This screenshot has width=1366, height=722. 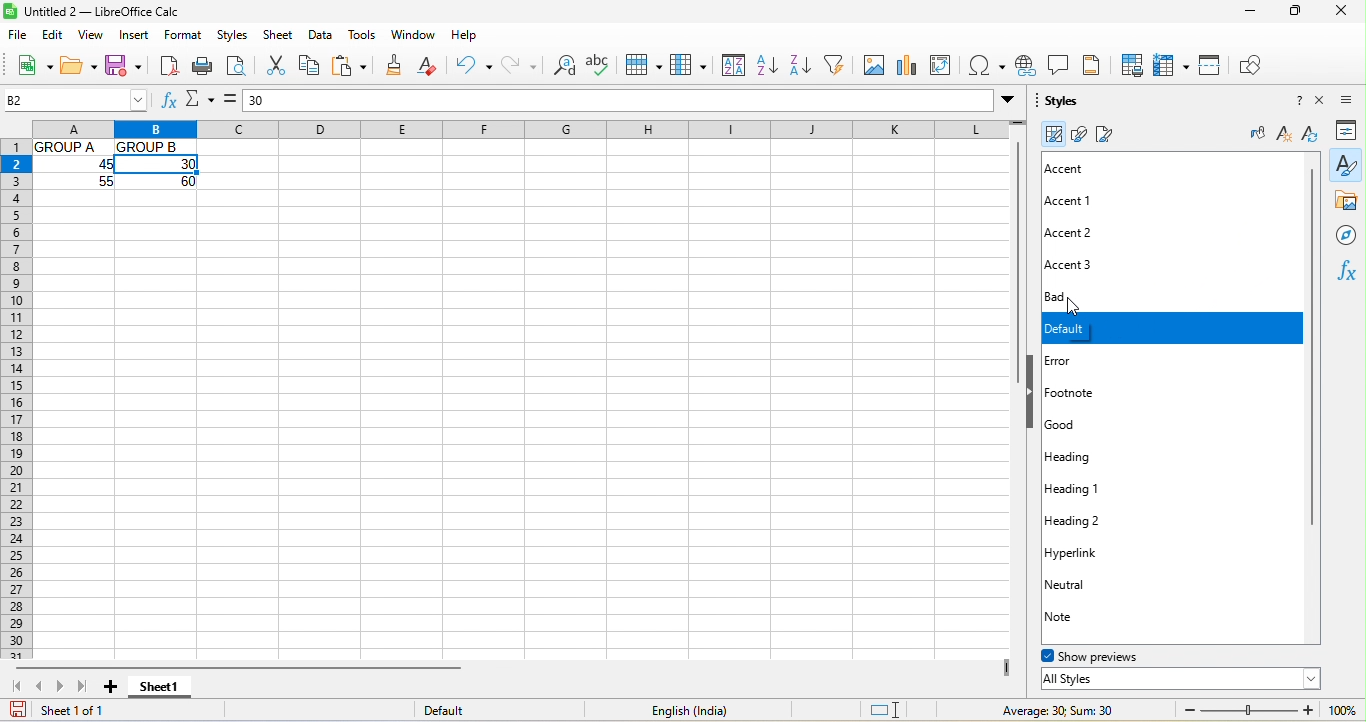 What do you see at coordinates (415, 36) in the screenshot?
I see `window` at bounding box center [415, 36].